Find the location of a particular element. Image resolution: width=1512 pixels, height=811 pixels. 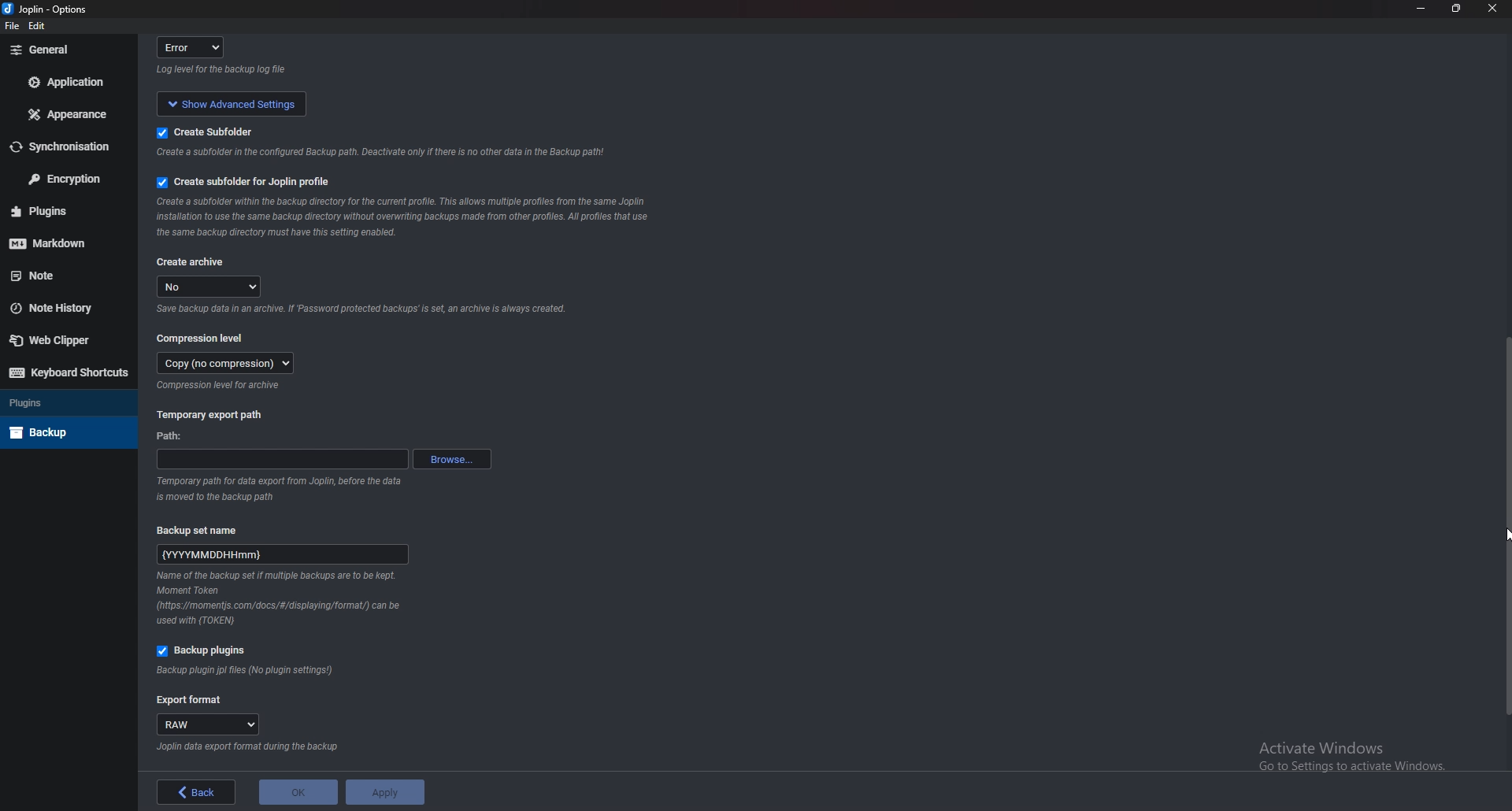

activate windows is located at coordinates (1360, 753).